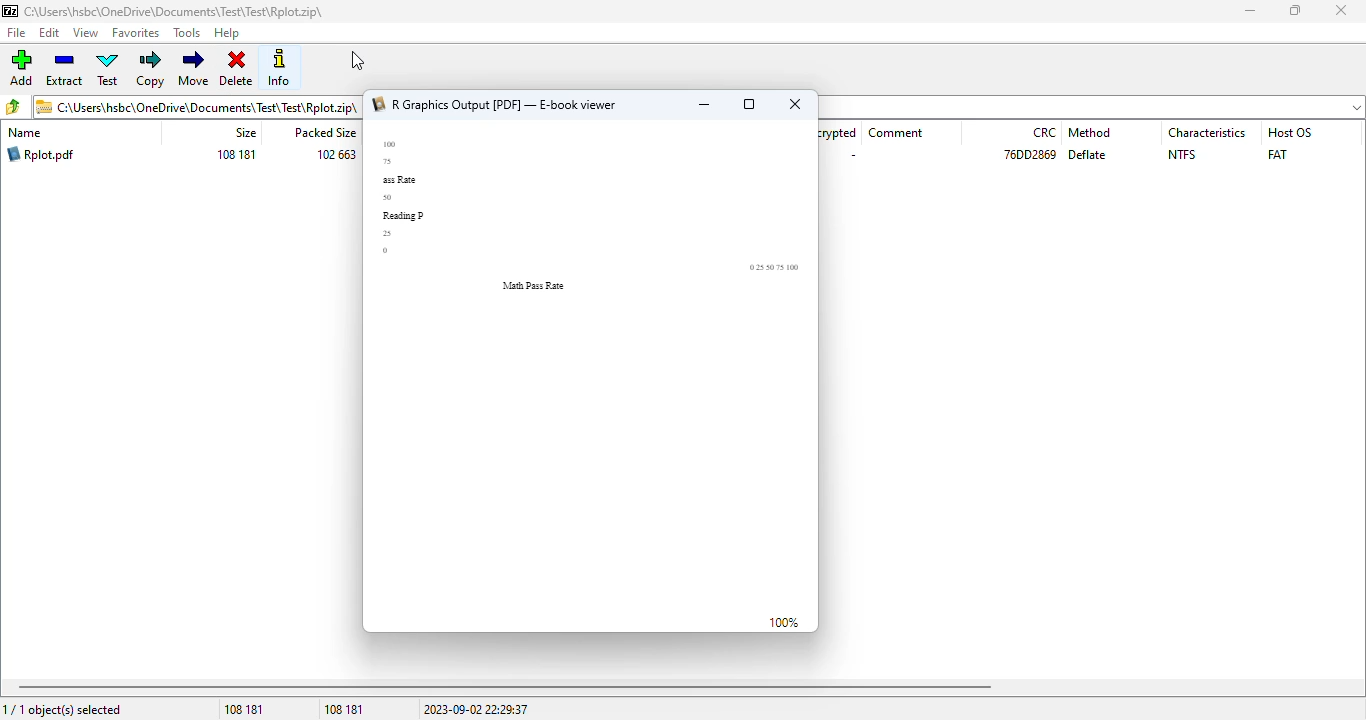 This screenshot has width=1366, height=720. I want to click on C:\Users\hsbc\ OneDrive\ Documents) Test\Test\Rplot.zip\, so click(197, 106).